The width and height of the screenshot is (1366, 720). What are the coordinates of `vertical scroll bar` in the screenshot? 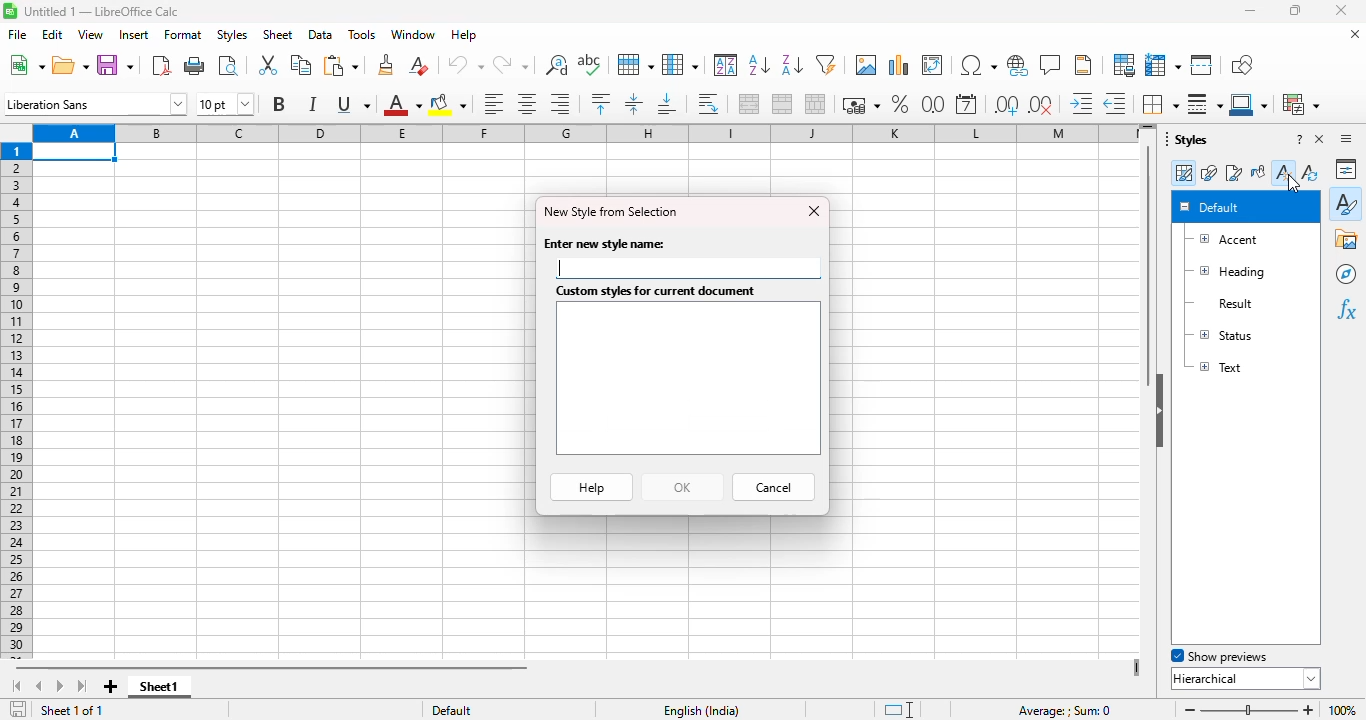 It's located at (1149, 266).